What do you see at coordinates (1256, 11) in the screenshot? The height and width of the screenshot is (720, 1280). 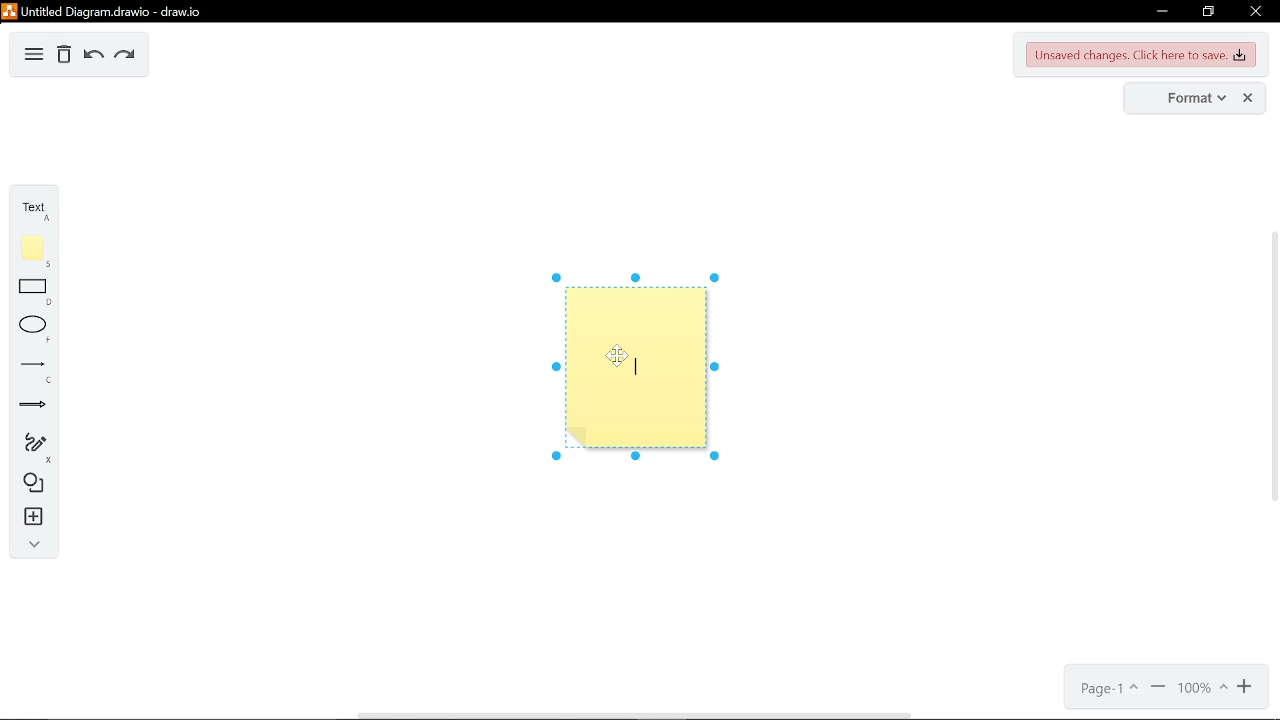 I see `close` at bounding box center [1256, 11].